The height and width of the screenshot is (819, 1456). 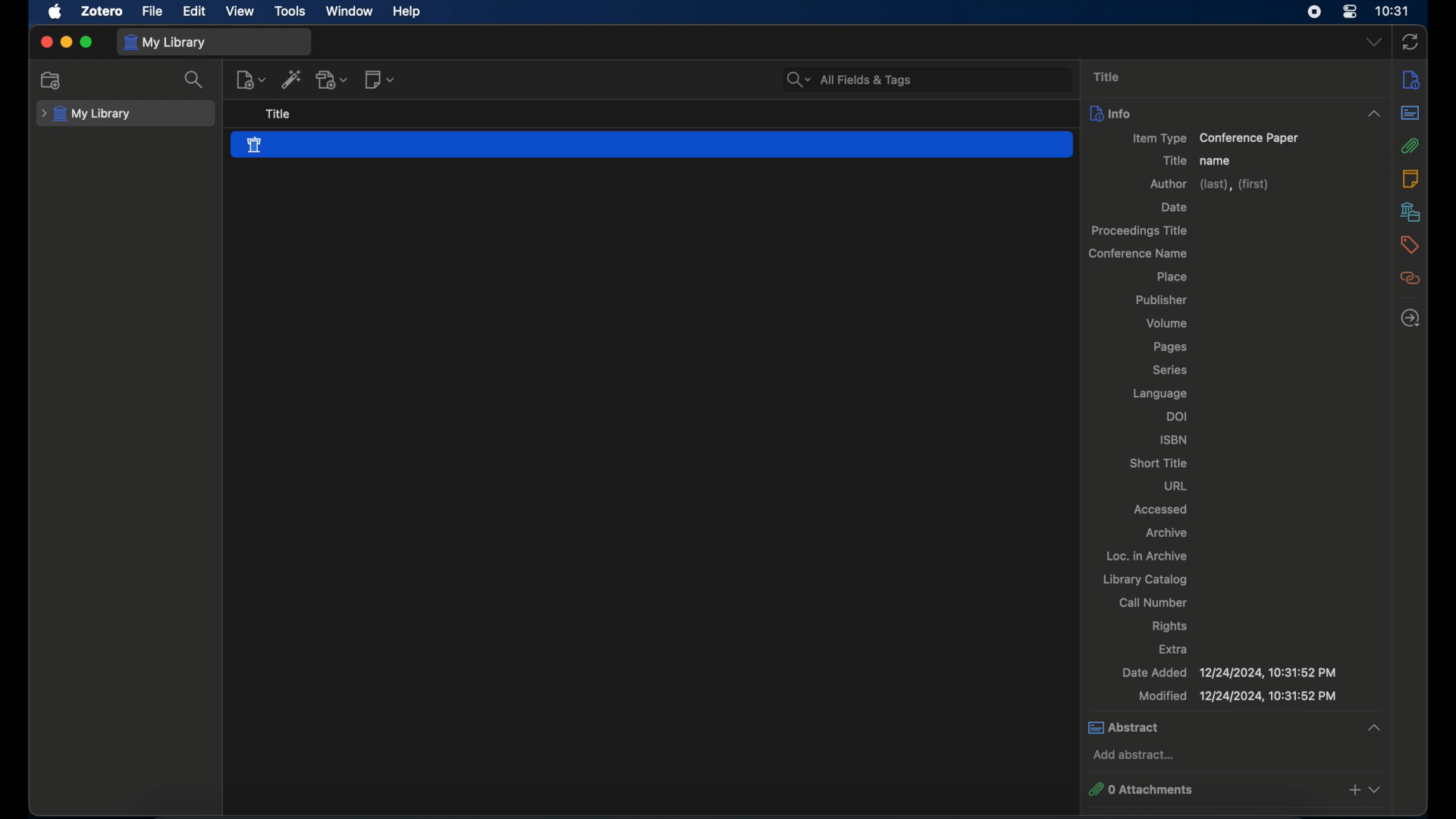 I want to click on accessed, so click(x=1160, y=509).